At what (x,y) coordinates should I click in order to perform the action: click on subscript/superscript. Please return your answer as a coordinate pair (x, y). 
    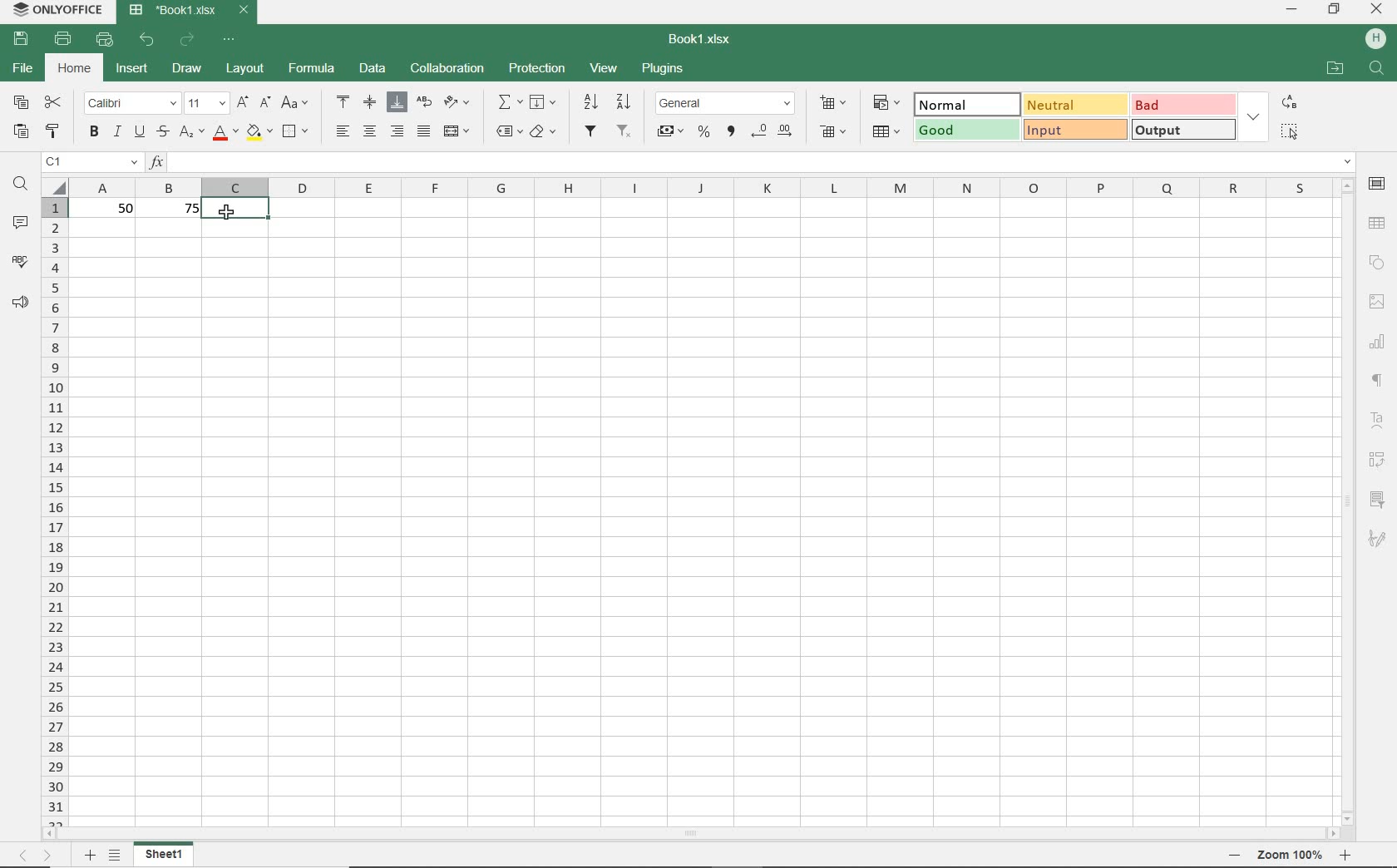
    Looking at the image, I should click on (191, 132).